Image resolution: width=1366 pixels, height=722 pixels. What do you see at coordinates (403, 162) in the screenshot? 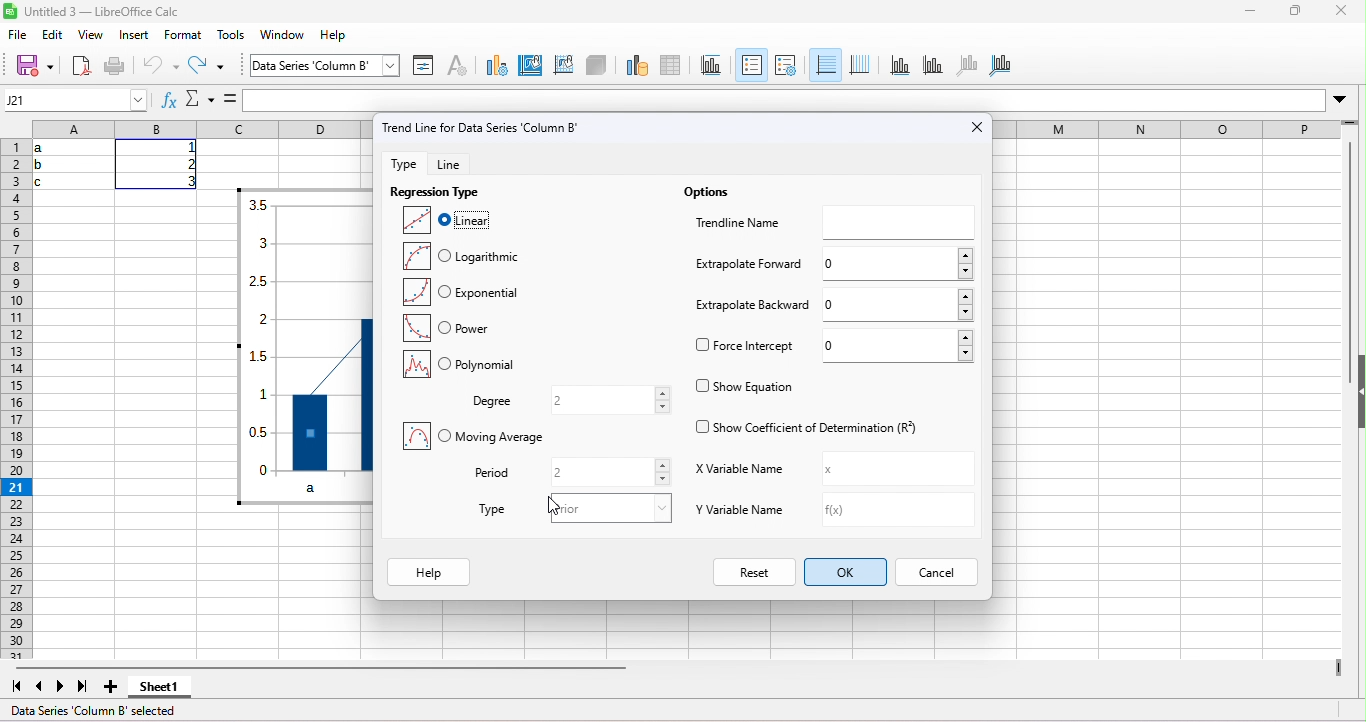
I see `type` at bounding box center [403, 162].